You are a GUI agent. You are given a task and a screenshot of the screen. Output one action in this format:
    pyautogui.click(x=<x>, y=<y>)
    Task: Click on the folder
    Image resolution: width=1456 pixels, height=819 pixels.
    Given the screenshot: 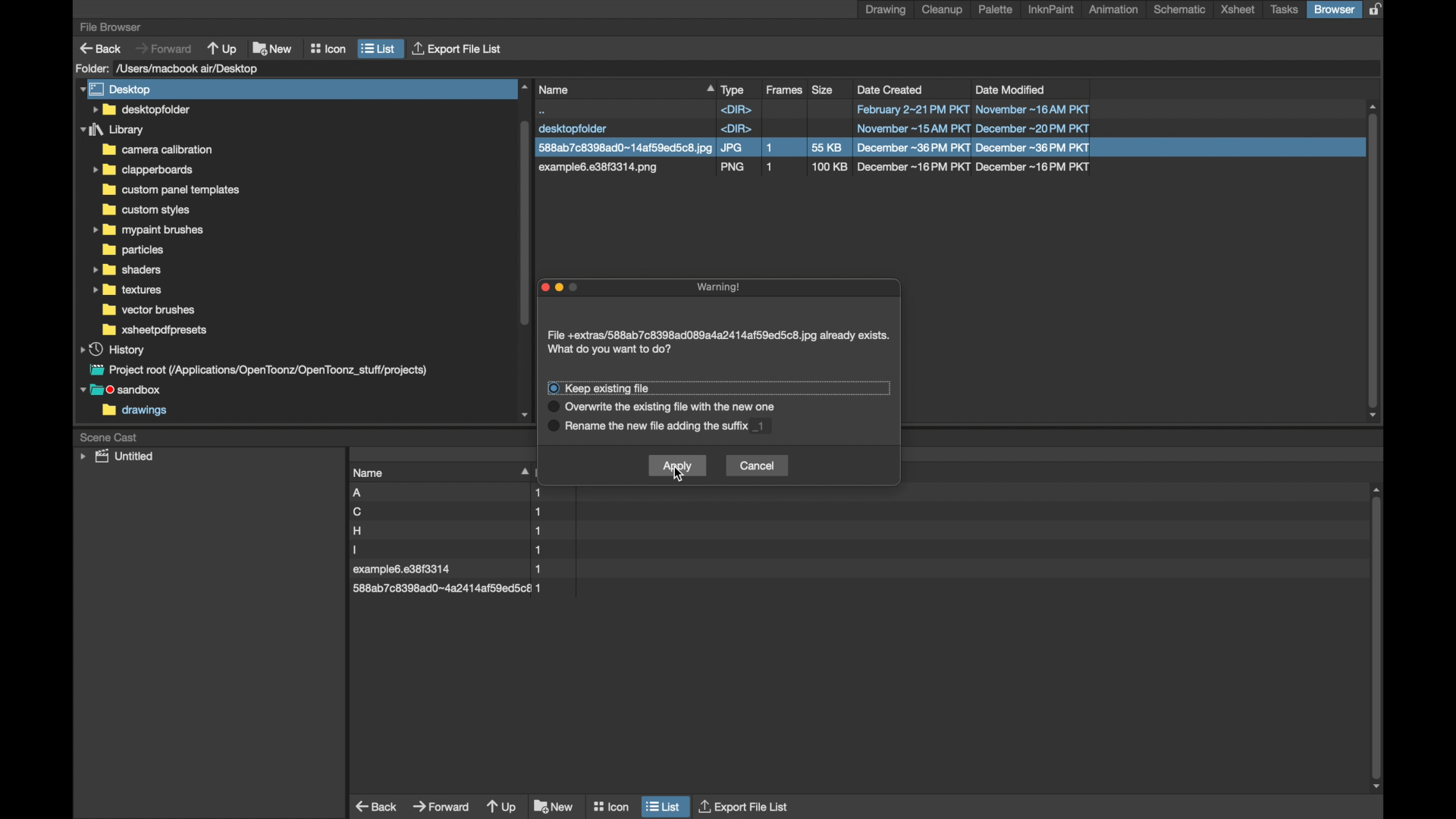 What is the action you would take?
    pyautogui.click(x=113, y=130)
    